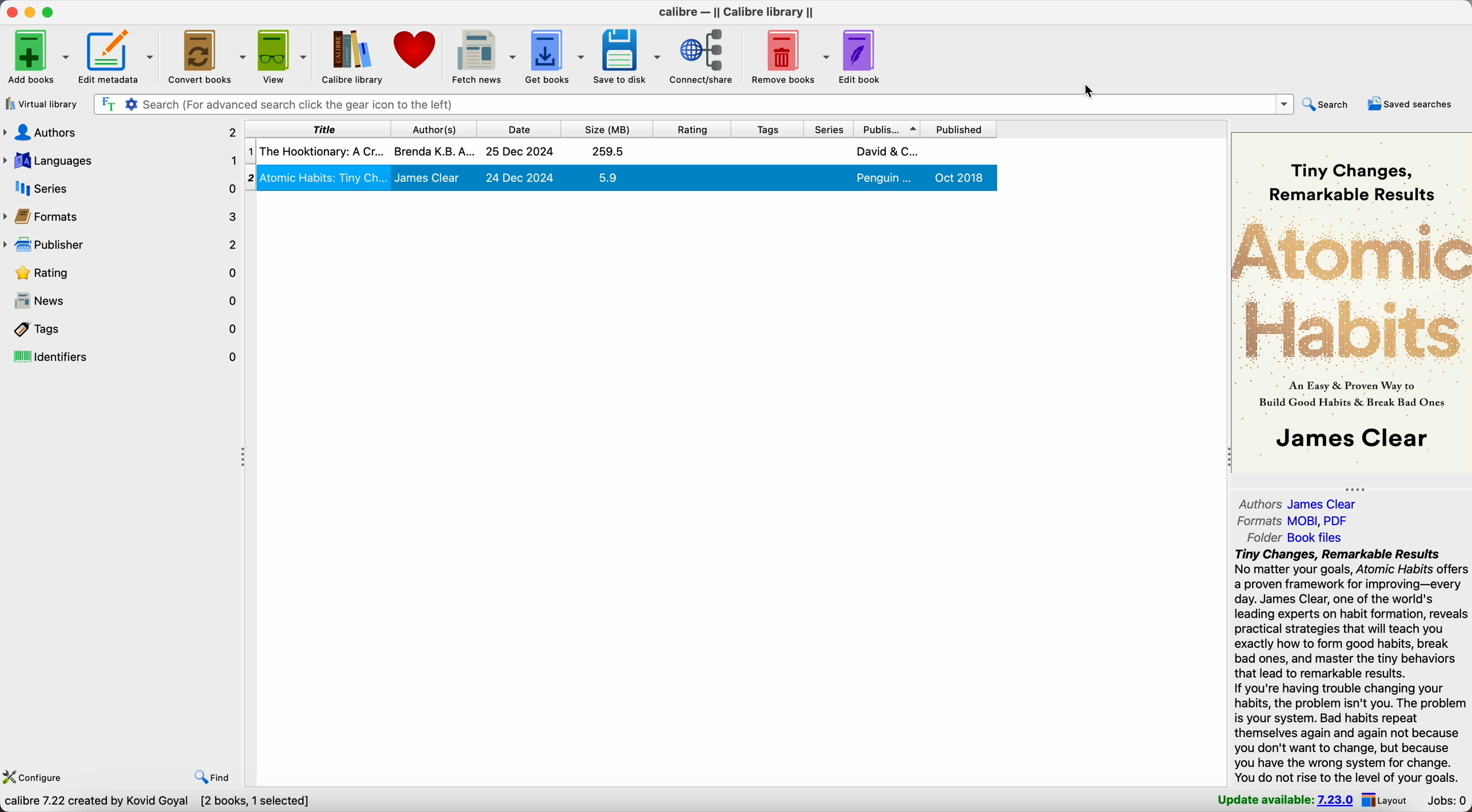 This screenshot has height=812, width=1472. Describe the element at coordinates (315, 128) in the screenshot. I see `title` at that location.